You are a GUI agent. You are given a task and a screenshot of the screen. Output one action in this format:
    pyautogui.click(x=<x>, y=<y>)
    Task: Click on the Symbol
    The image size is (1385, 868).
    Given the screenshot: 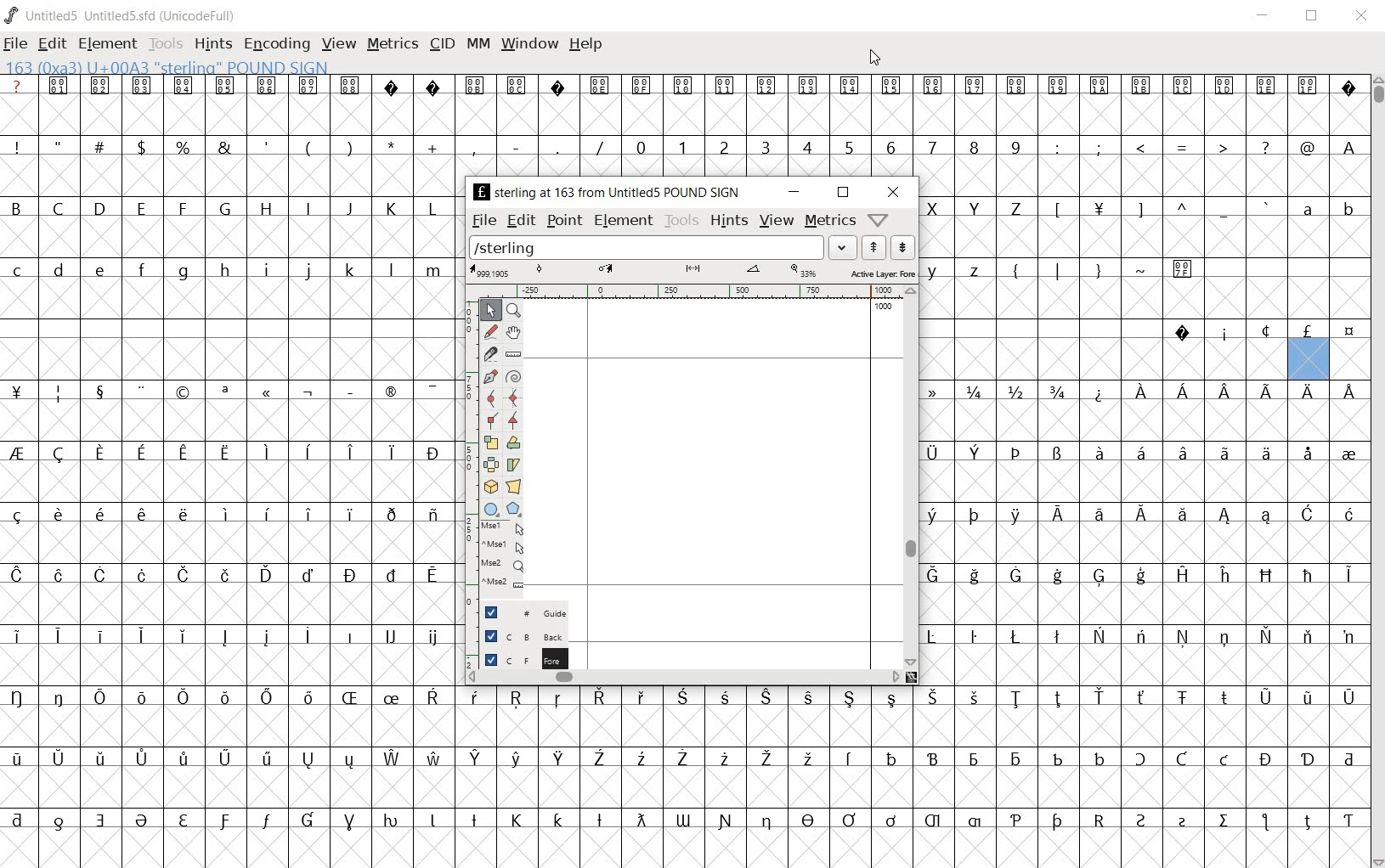 What is the action you would take?
    pyautogui.click(x=350, y=575)
    